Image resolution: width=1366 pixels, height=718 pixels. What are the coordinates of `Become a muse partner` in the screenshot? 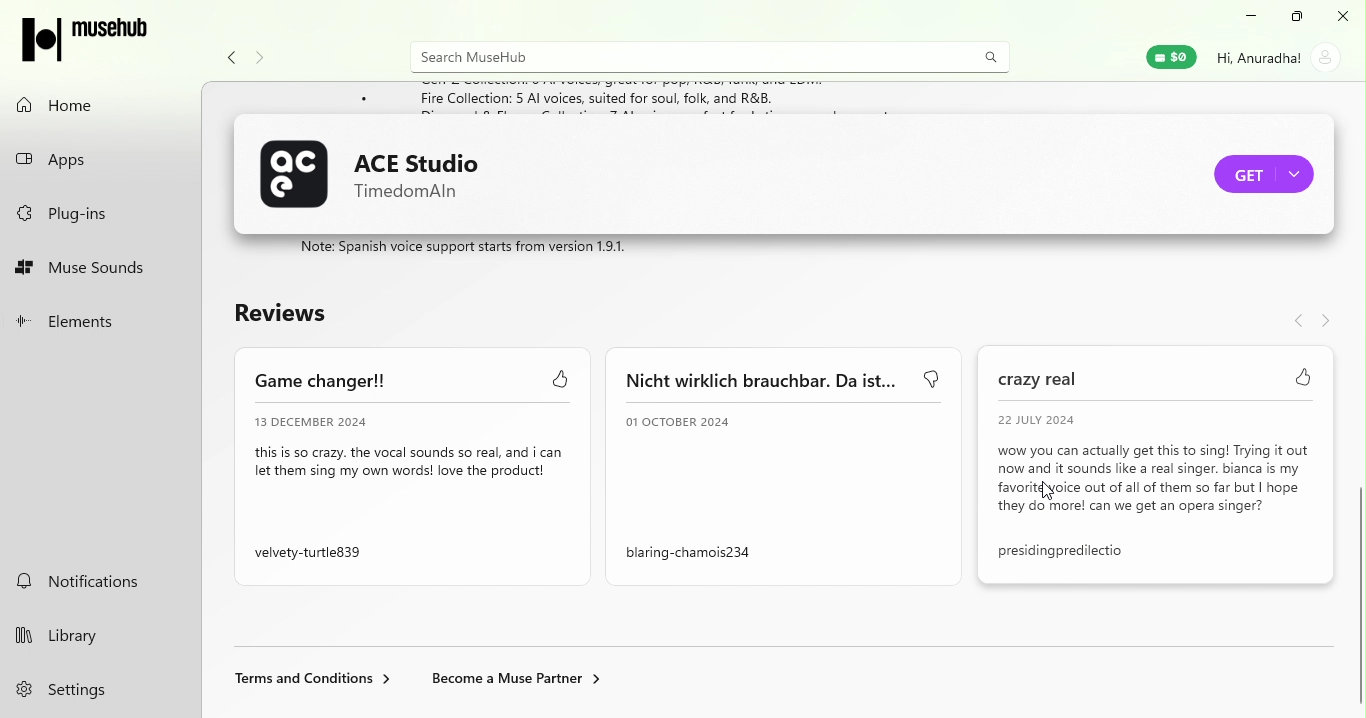 It's located at (520, 680).